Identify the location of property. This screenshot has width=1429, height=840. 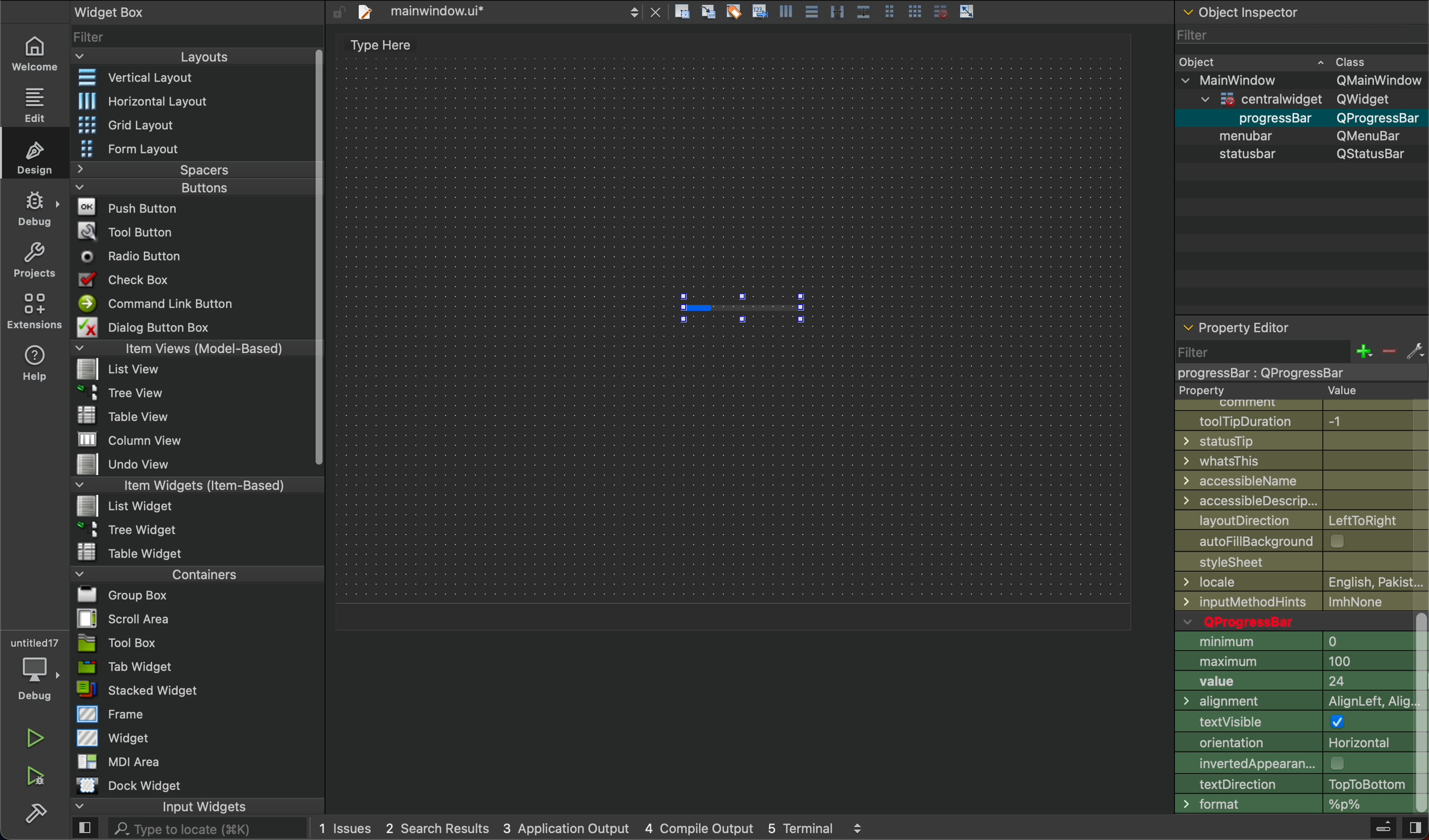
(1279, 390).